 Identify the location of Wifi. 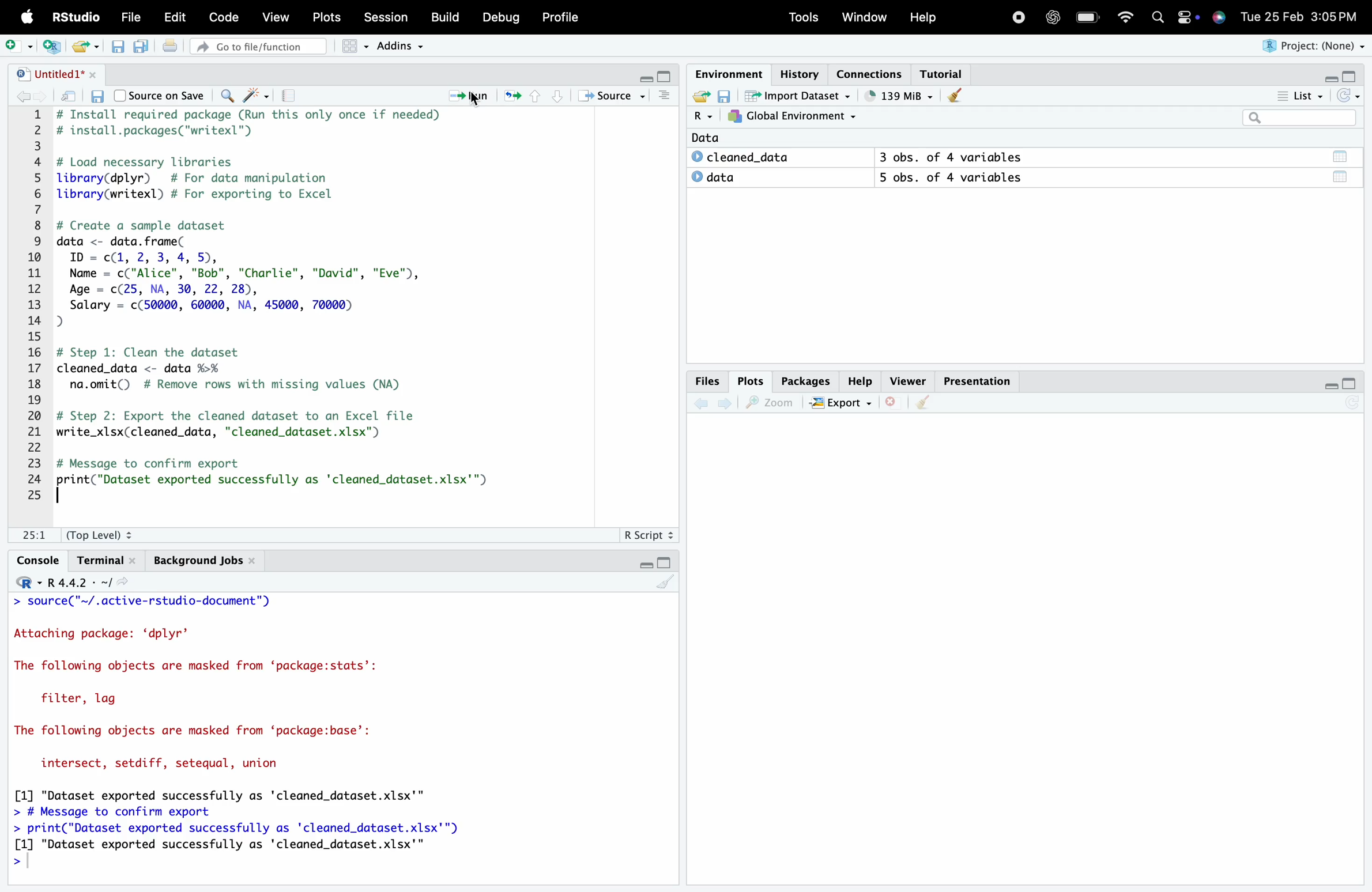
(1124, 16).